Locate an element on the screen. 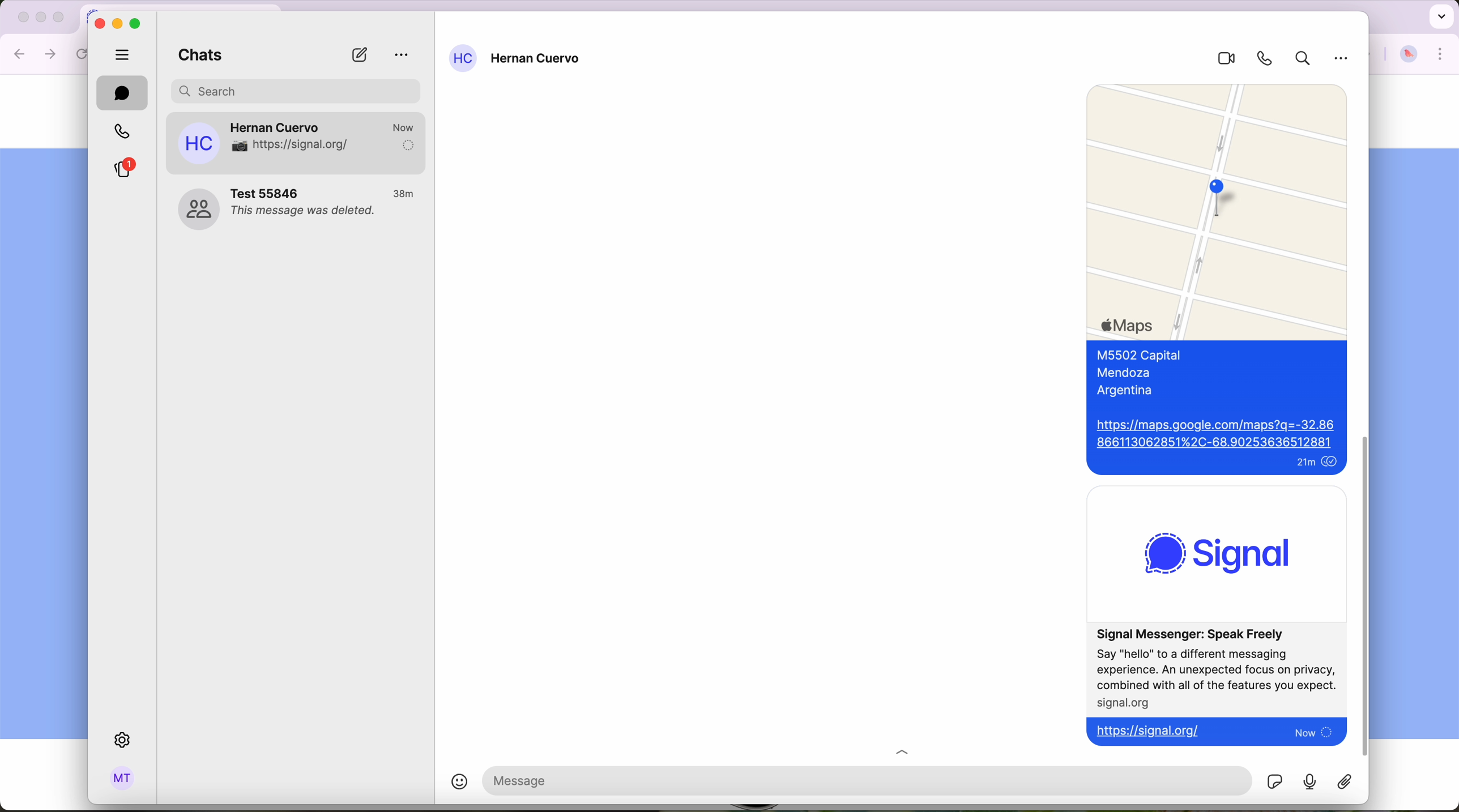 The image size is (1459, 812). emoji is located at coordinates (449, 784).